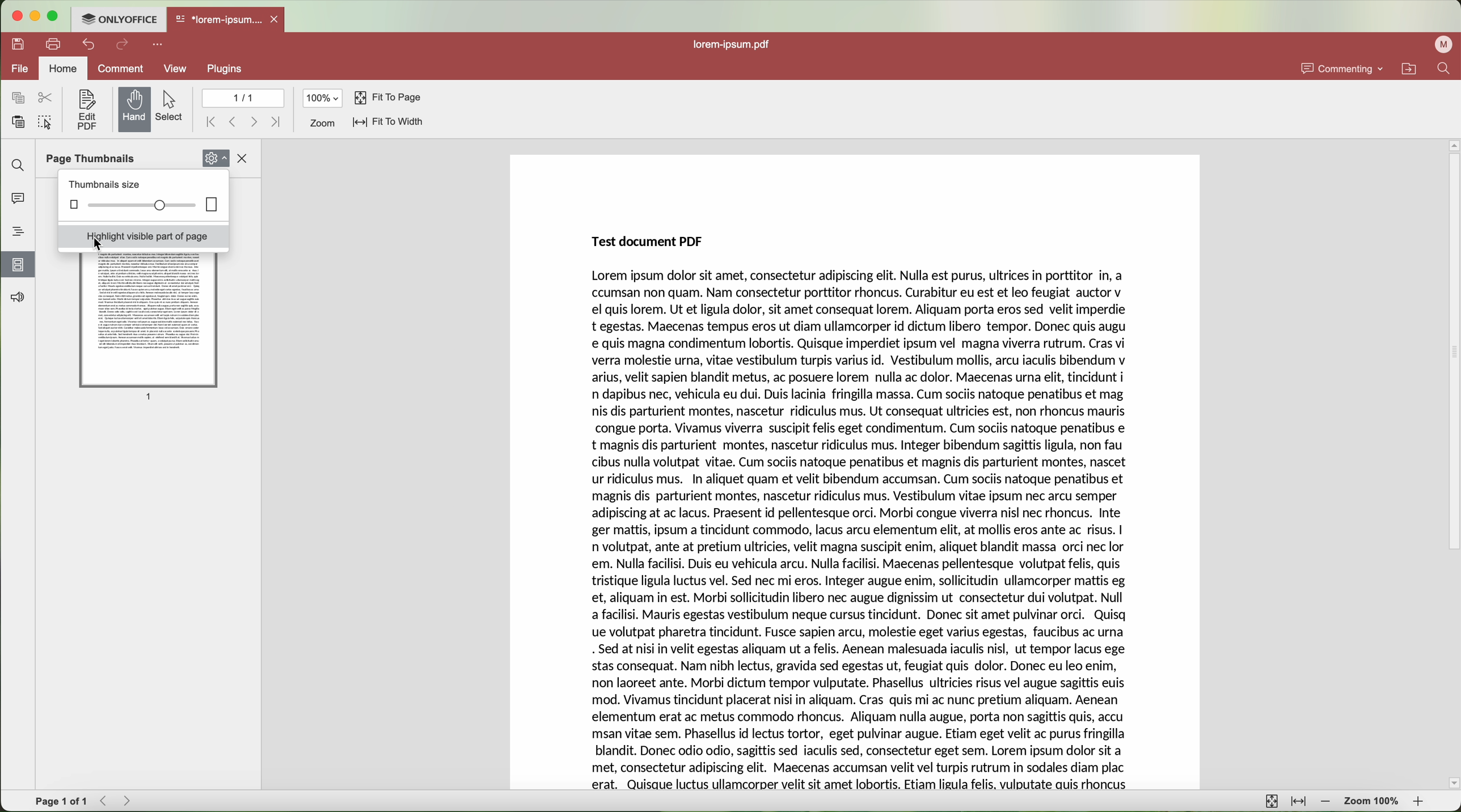 Image resolution: width=1461 pixels, height=812 pixels. What do you see at coordinates (1452, 463) in the screenshot?
I see `scroll bar` at bounding box center [1452, 463].